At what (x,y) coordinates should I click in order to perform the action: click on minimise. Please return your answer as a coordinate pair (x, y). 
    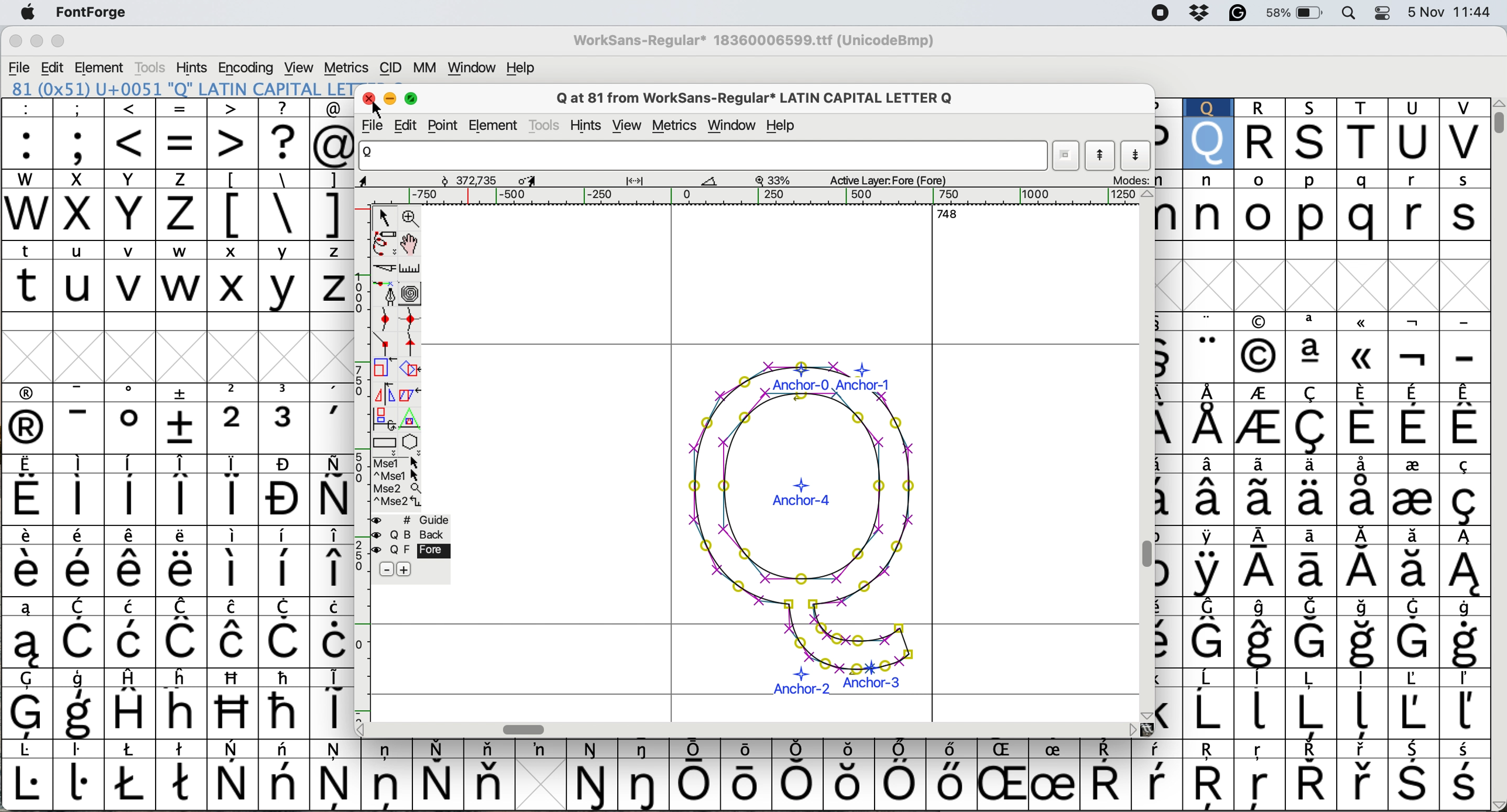
    Looking at the image, I should click on (33, 40).